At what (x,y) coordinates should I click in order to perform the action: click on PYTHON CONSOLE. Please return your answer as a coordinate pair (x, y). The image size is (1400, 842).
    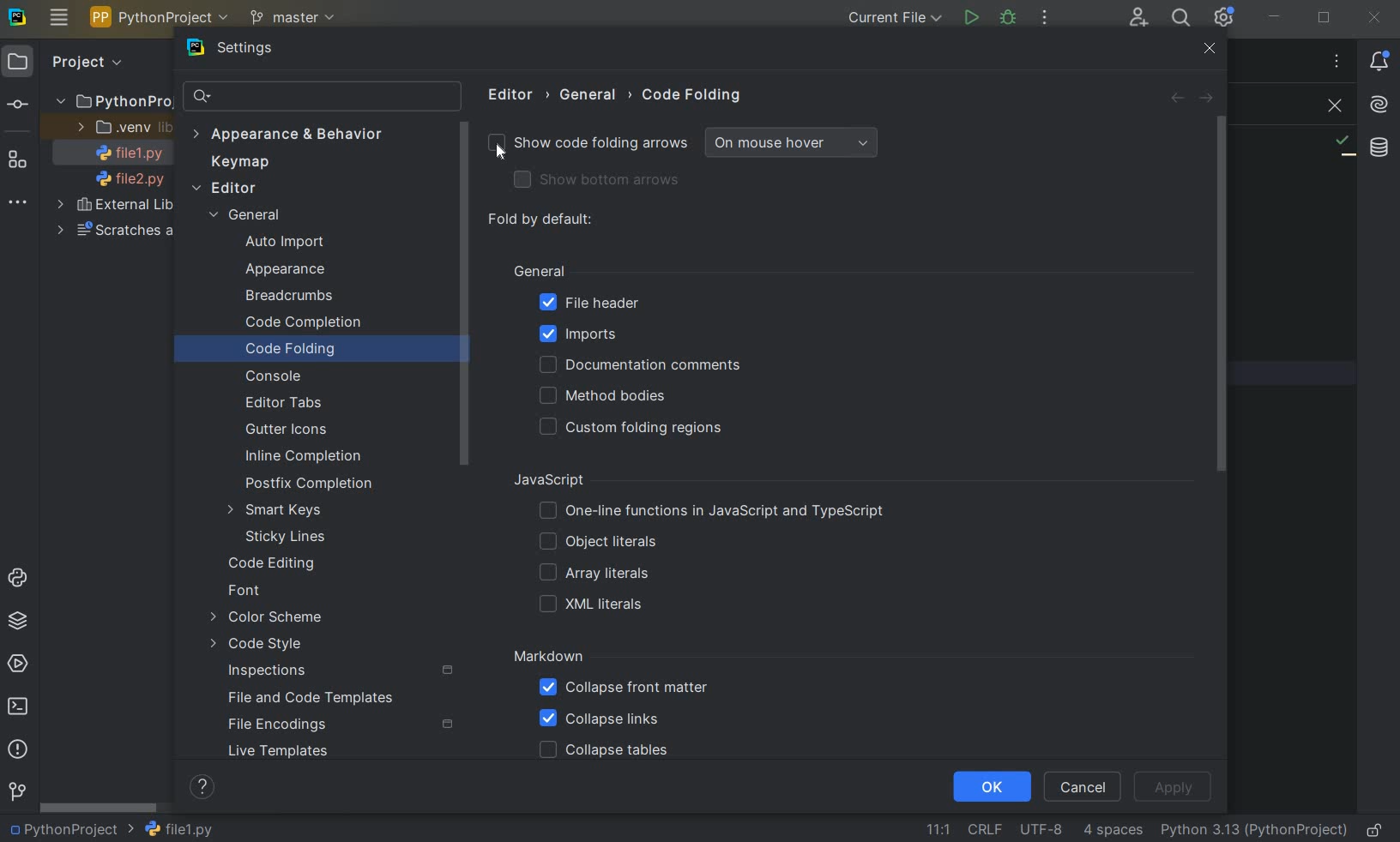
    Looking at the image, I should click on (20, 574).